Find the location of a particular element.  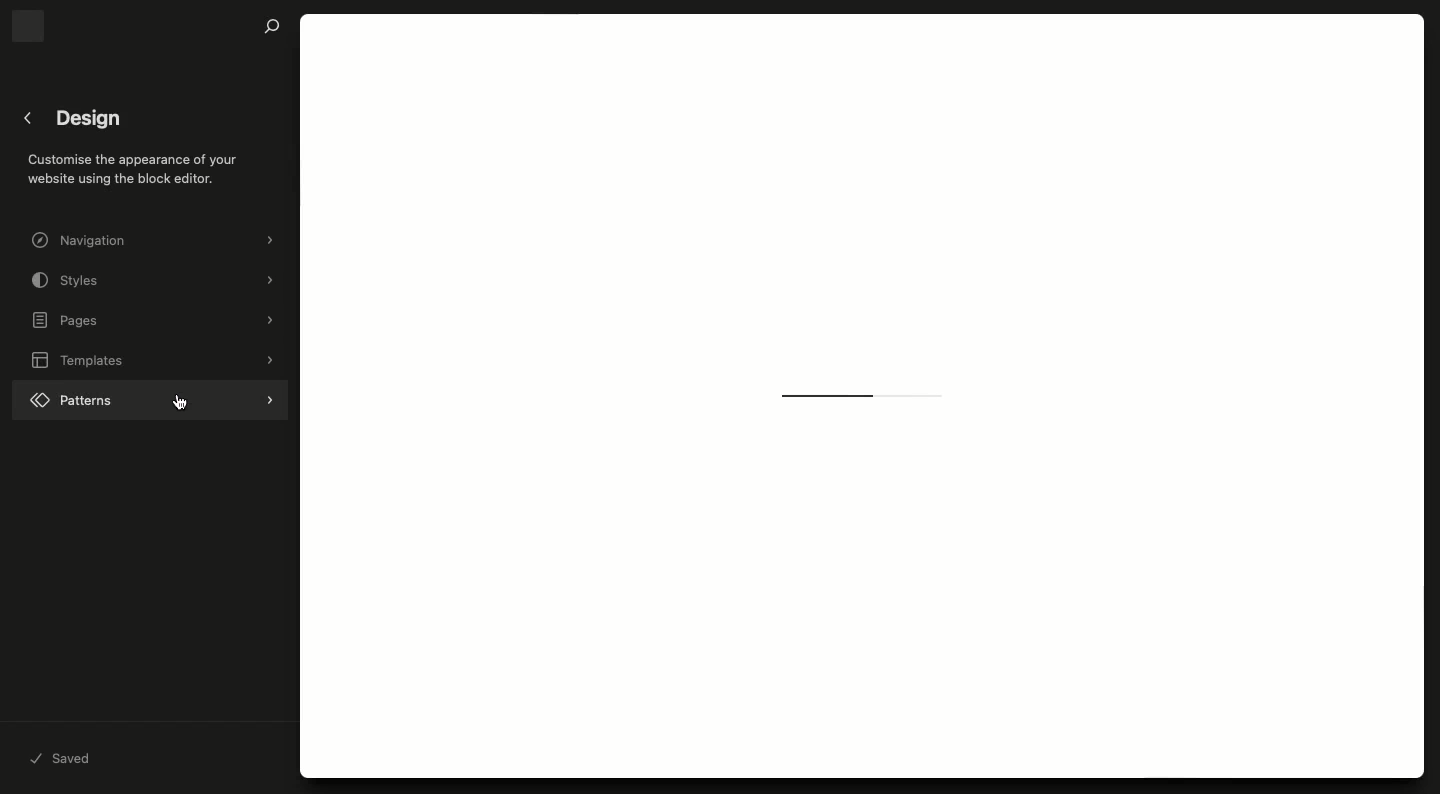

Search is located at coordinates (272, 27).